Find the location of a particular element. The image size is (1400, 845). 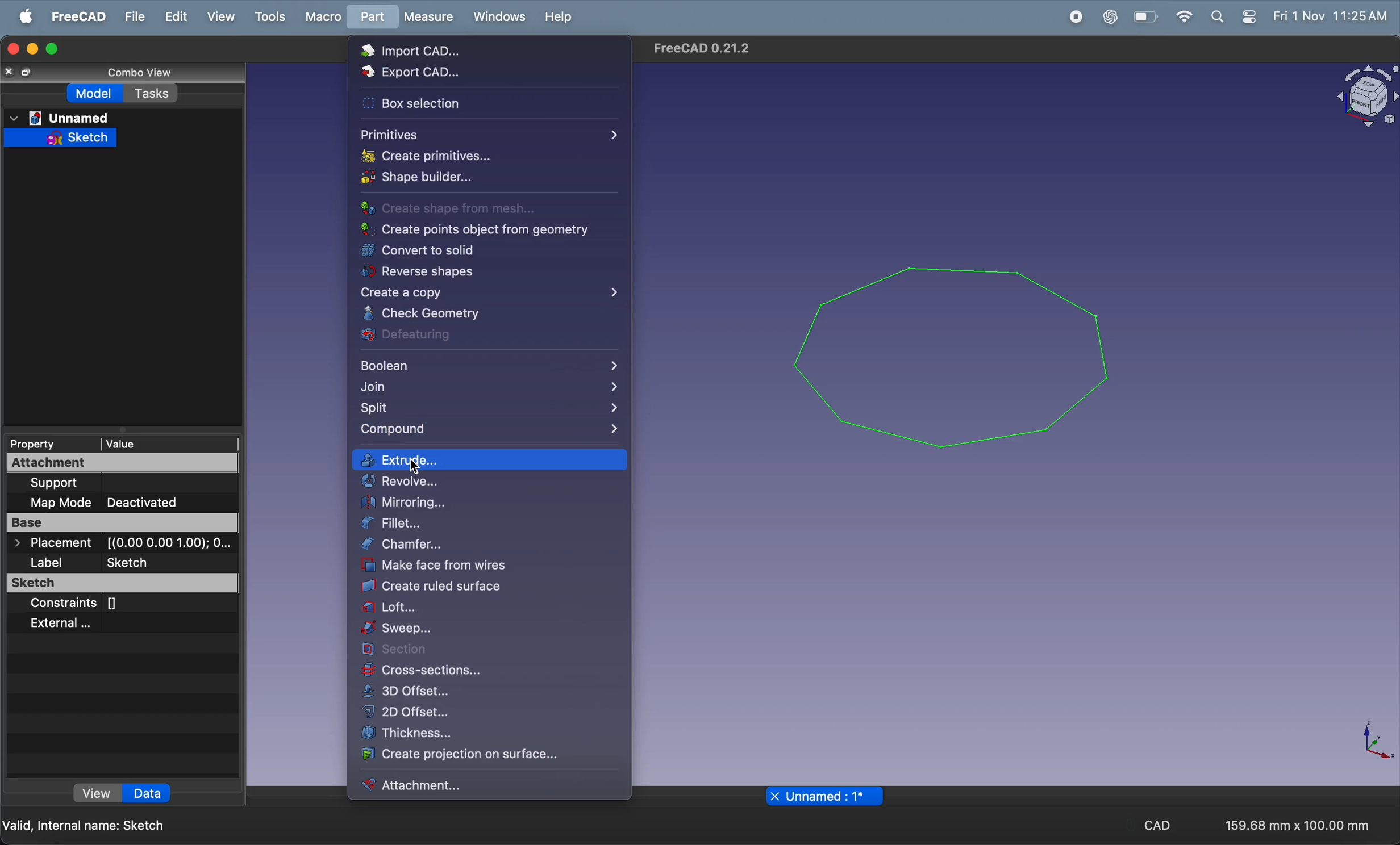

create a copy is located at coordinates (487, 294).